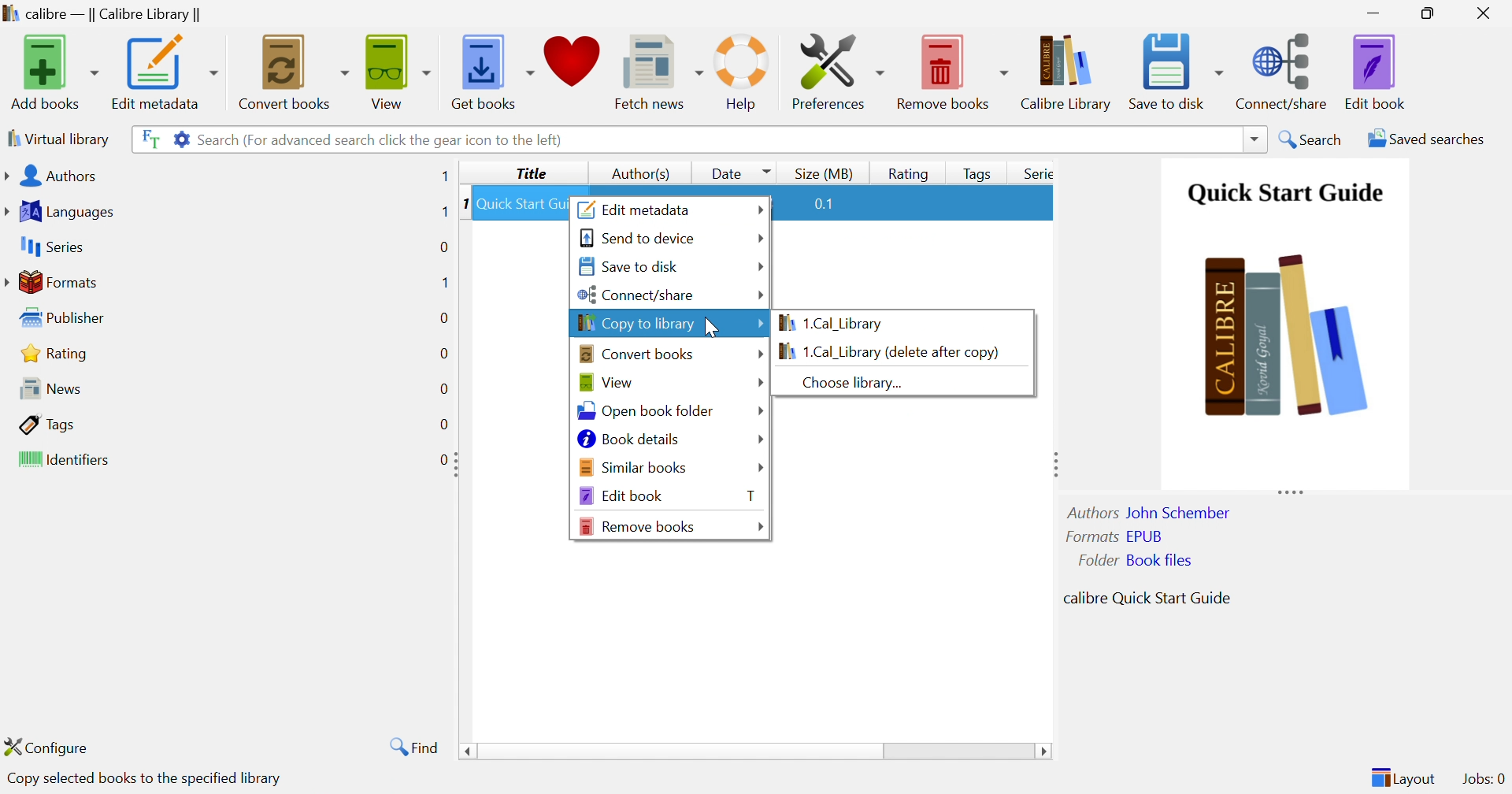 This screenshot has height=794, width=1512. What do you see at coordinates (61, 458) in the screenshot?
I see `Identifiers` at bounding box center [61, 458].